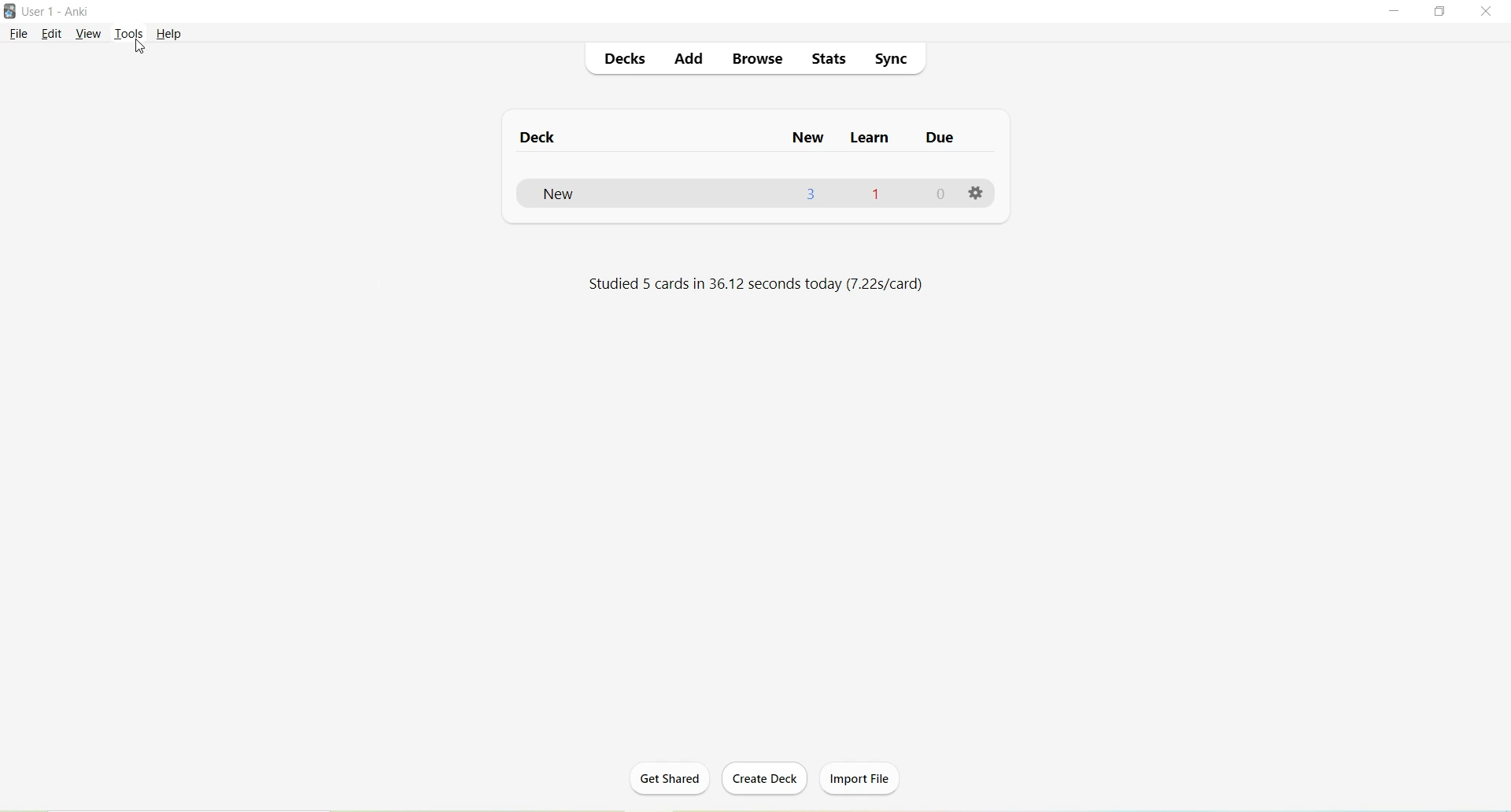 The height and width of the screenshot is (812, 1511). Describe the element at coordinates (752, 286) in the screenshot. I see `Studied 5 cards in 36.12 seconds today (7.22s/card)` at that location.